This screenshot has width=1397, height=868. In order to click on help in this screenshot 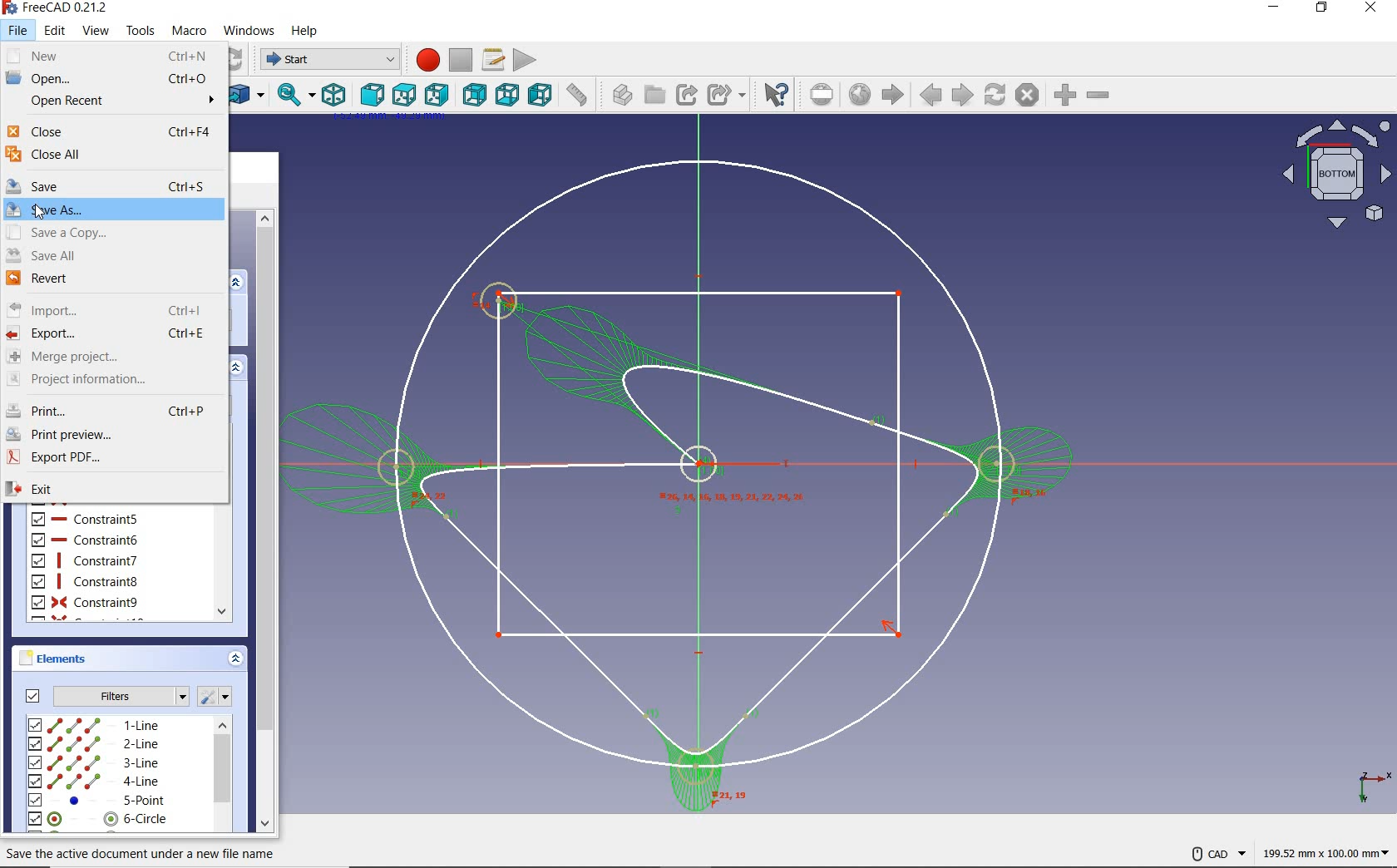, I will do `click(305, 31)`.